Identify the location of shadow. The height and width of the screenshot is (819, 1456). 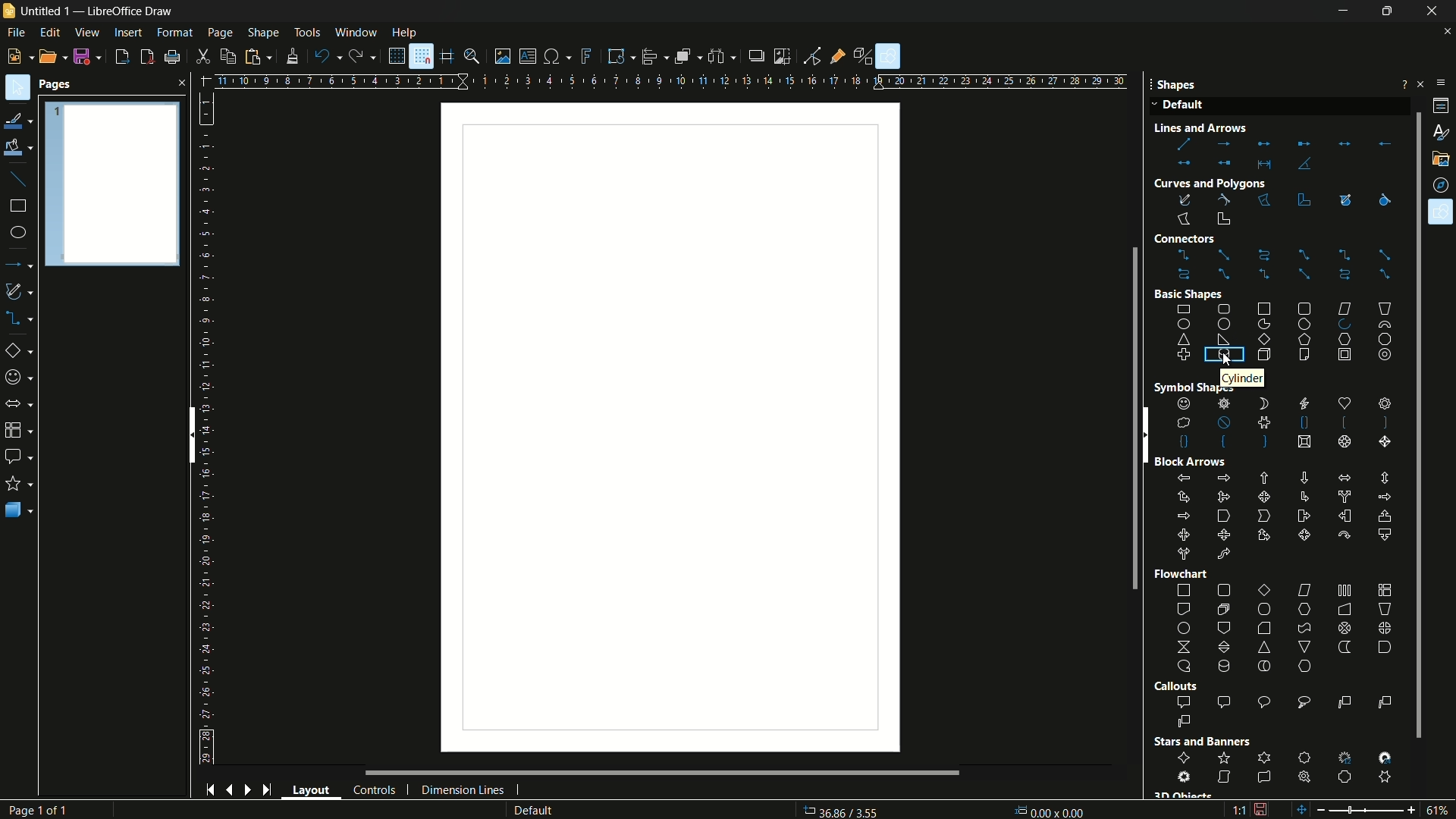
(755, 55).